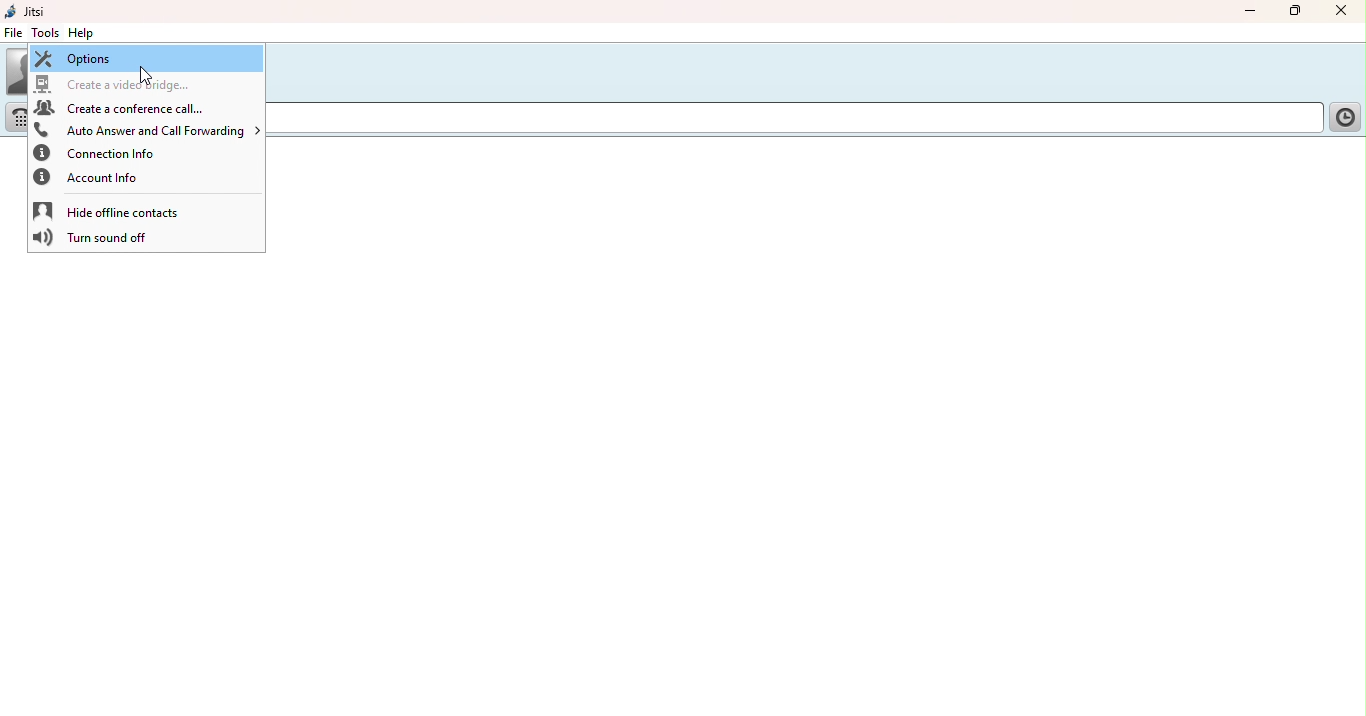  Describe the element at coordinates (147, 128) in the screenshot. I see `Auto answer and Call forwarding` at that location.